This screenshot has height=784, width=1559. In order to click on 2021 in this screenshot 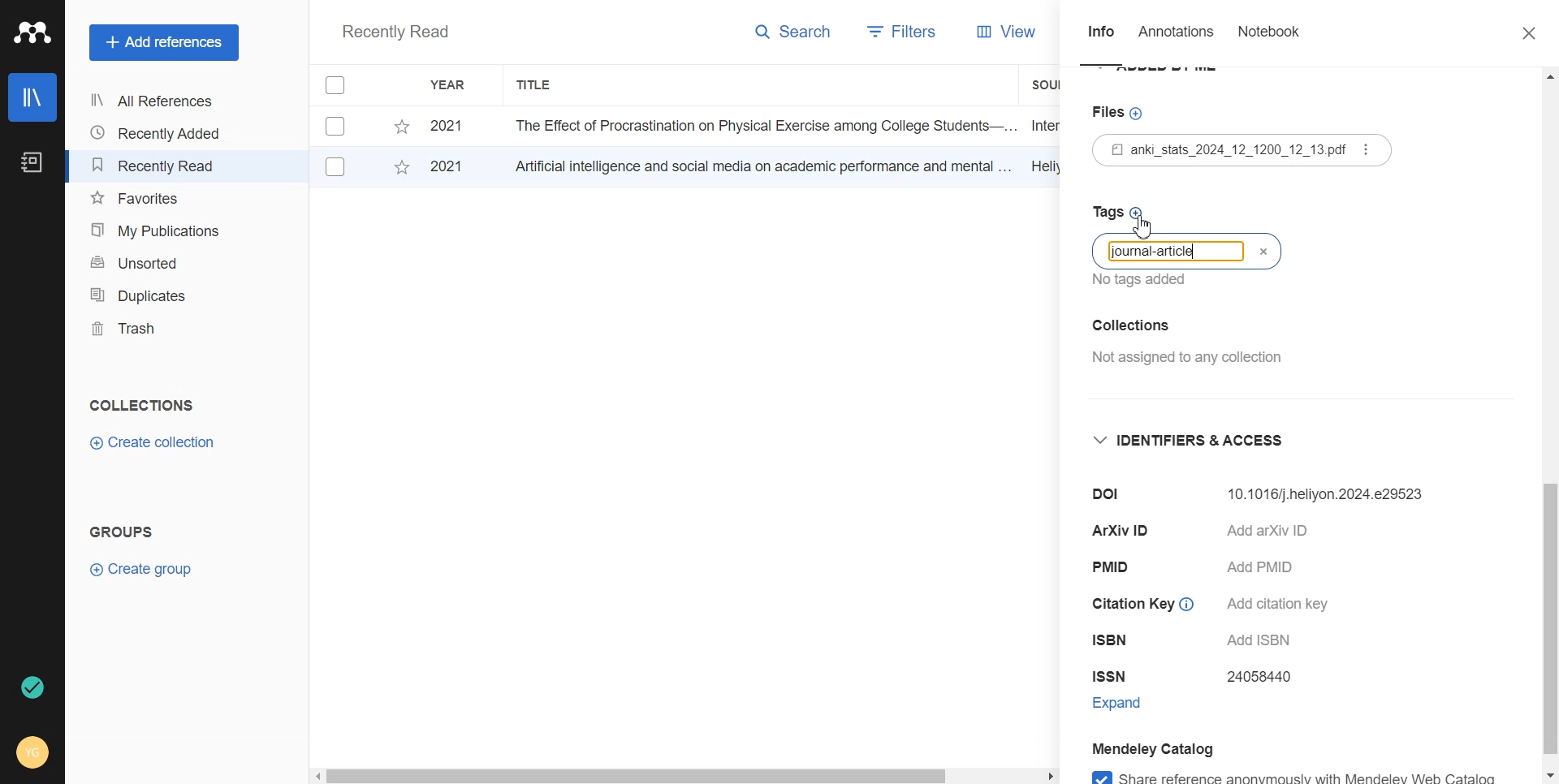, I will do `click(455, 169)`.